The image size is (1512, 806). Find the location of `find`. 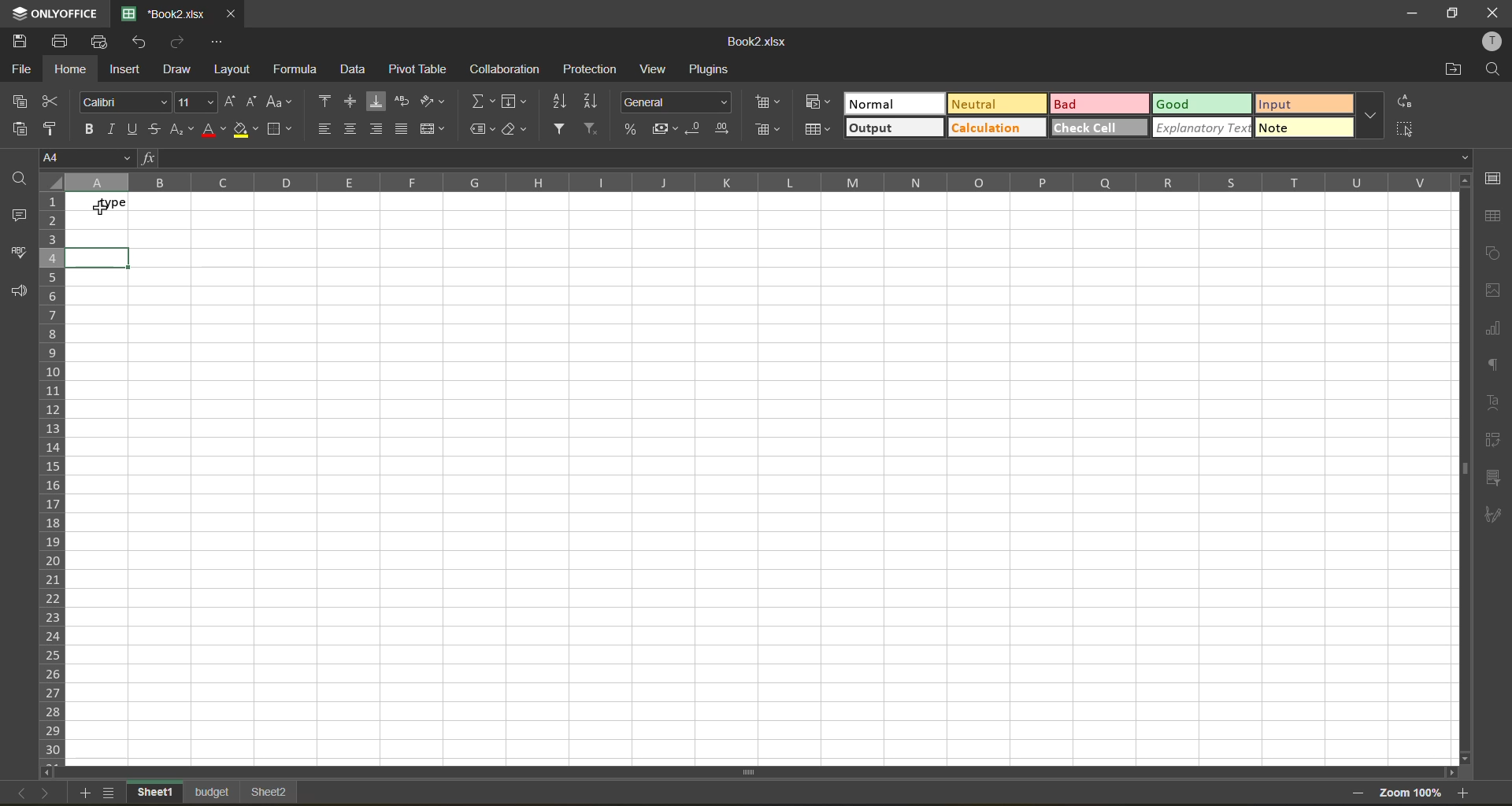

find is located at coordinates (1493, 68).